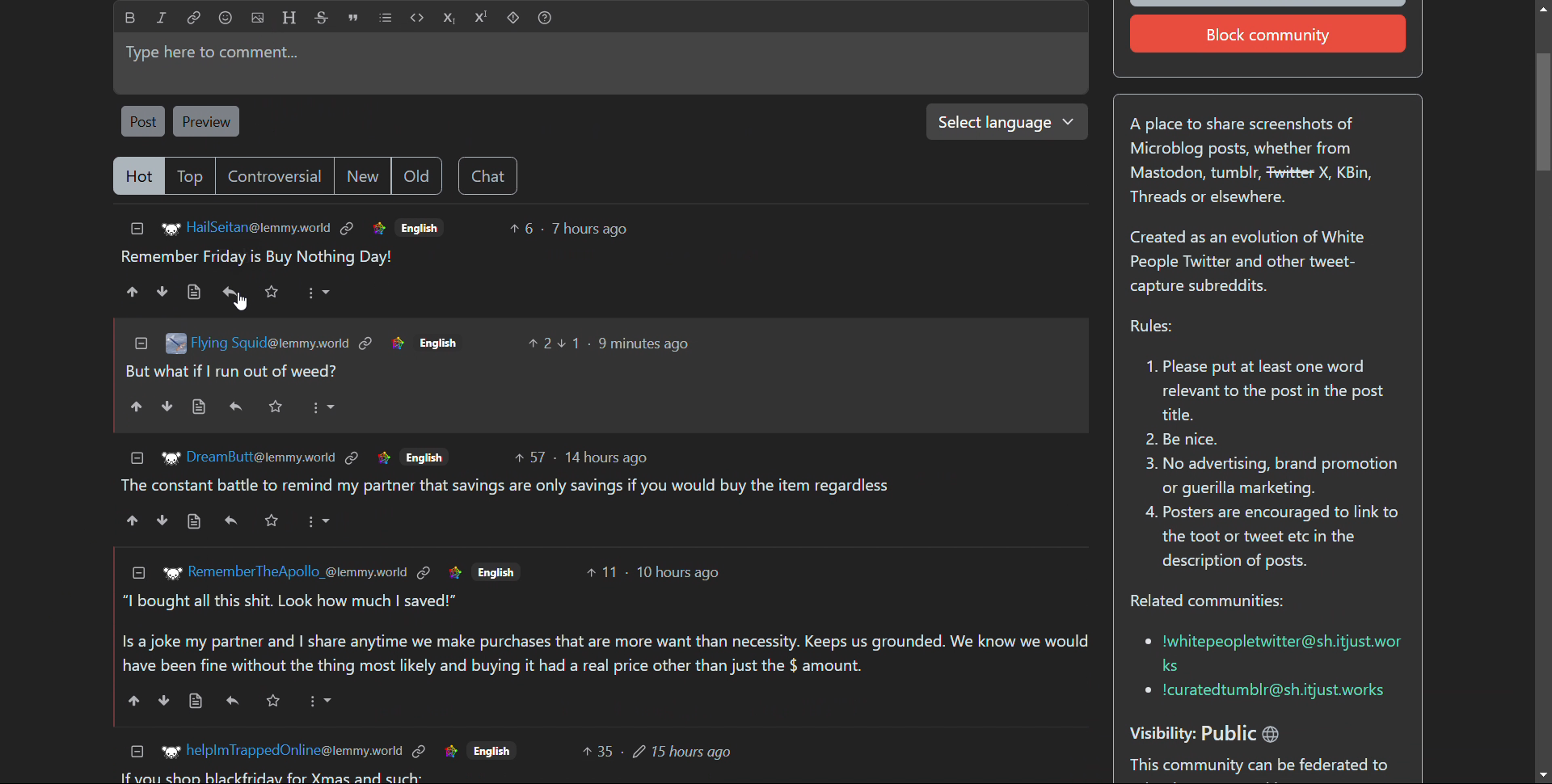  I want to click on Related communities:, so click(1217, 602).